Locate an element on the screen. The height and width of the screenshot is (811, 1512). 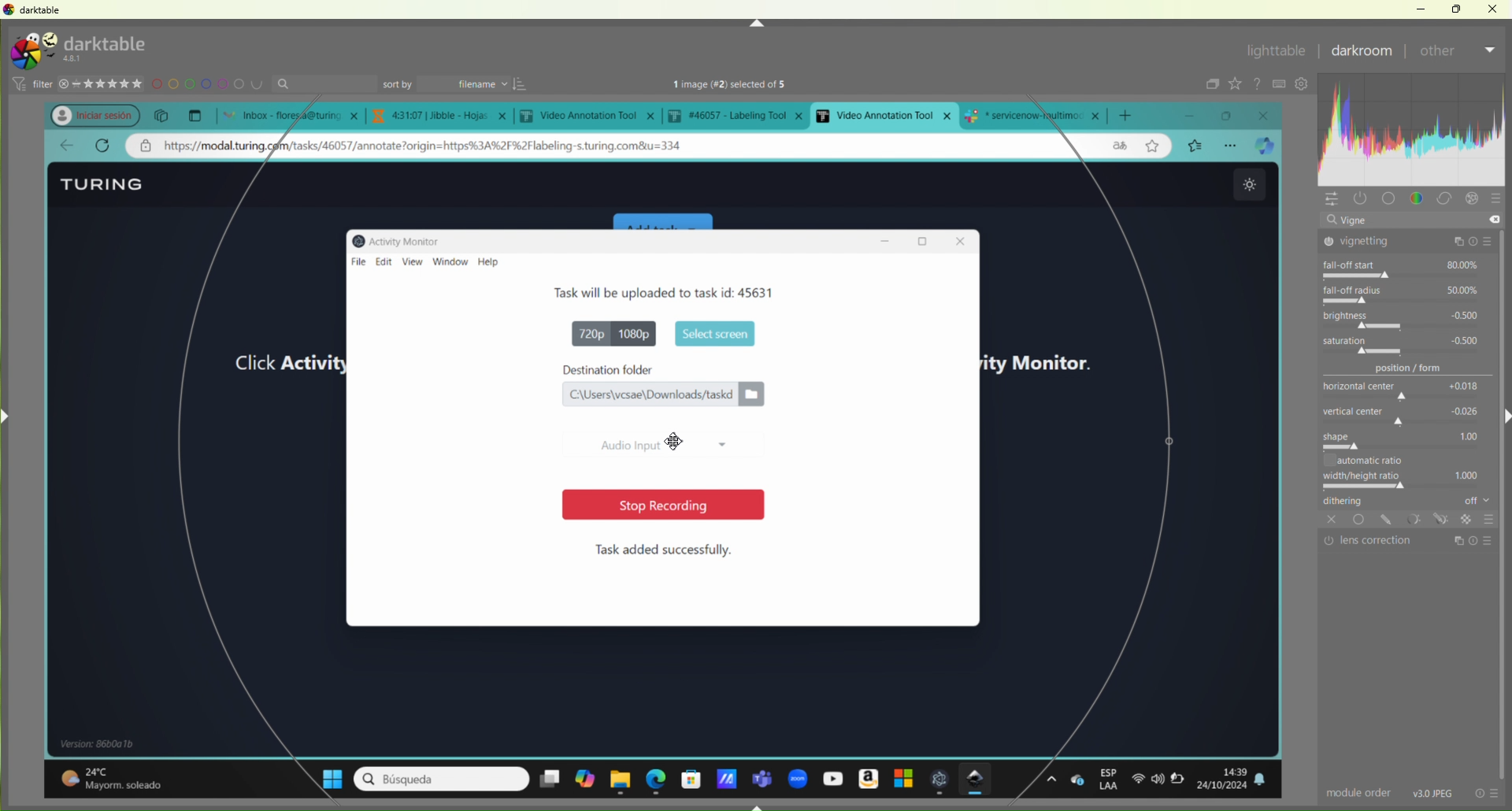
info is located at coordinates (1488, 792).